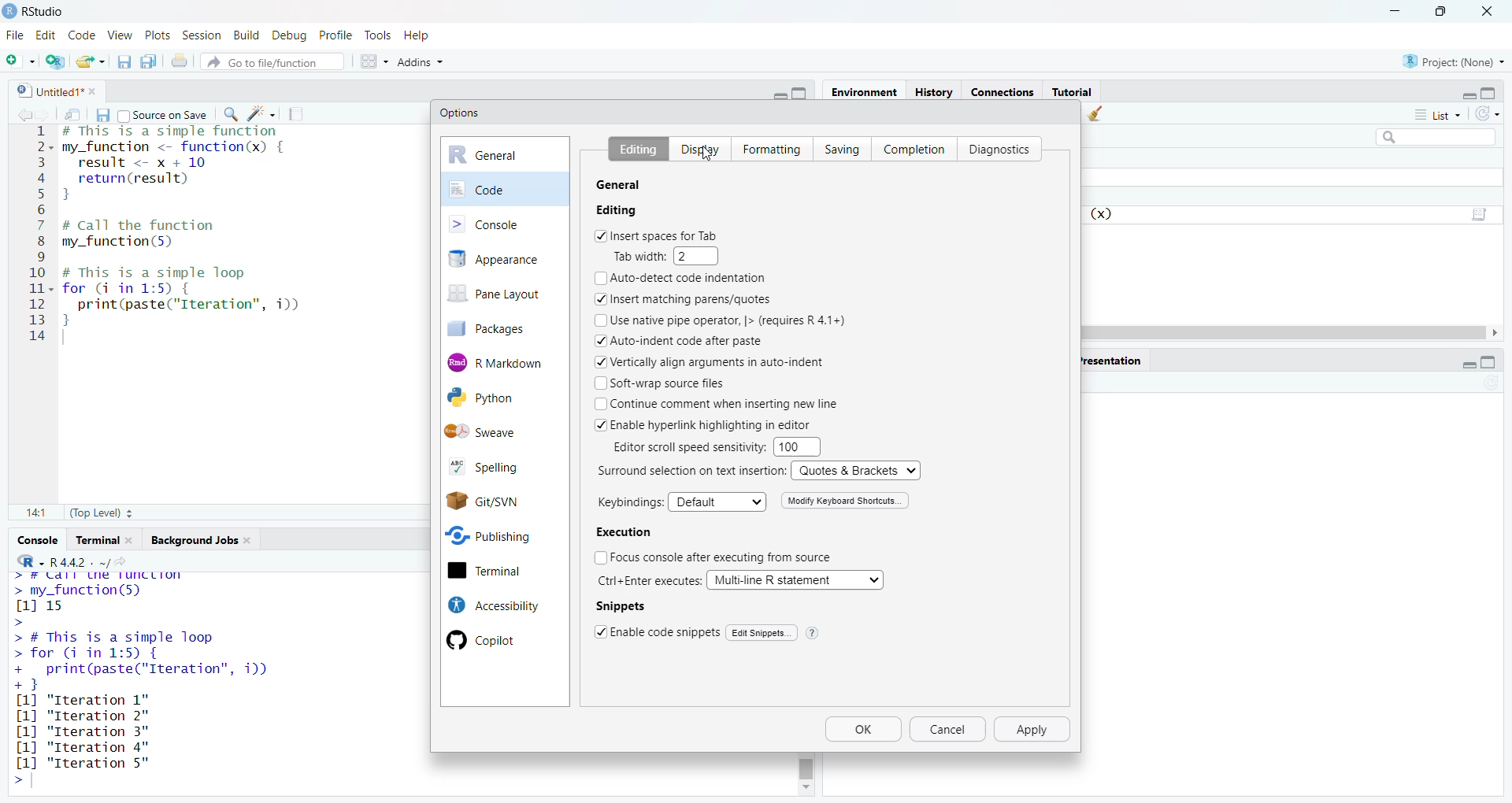 This screenshot has height=803, width=1512. Describe the element at coordinates (91, 60) in the screenshot. I see `open an existing file` at that location.